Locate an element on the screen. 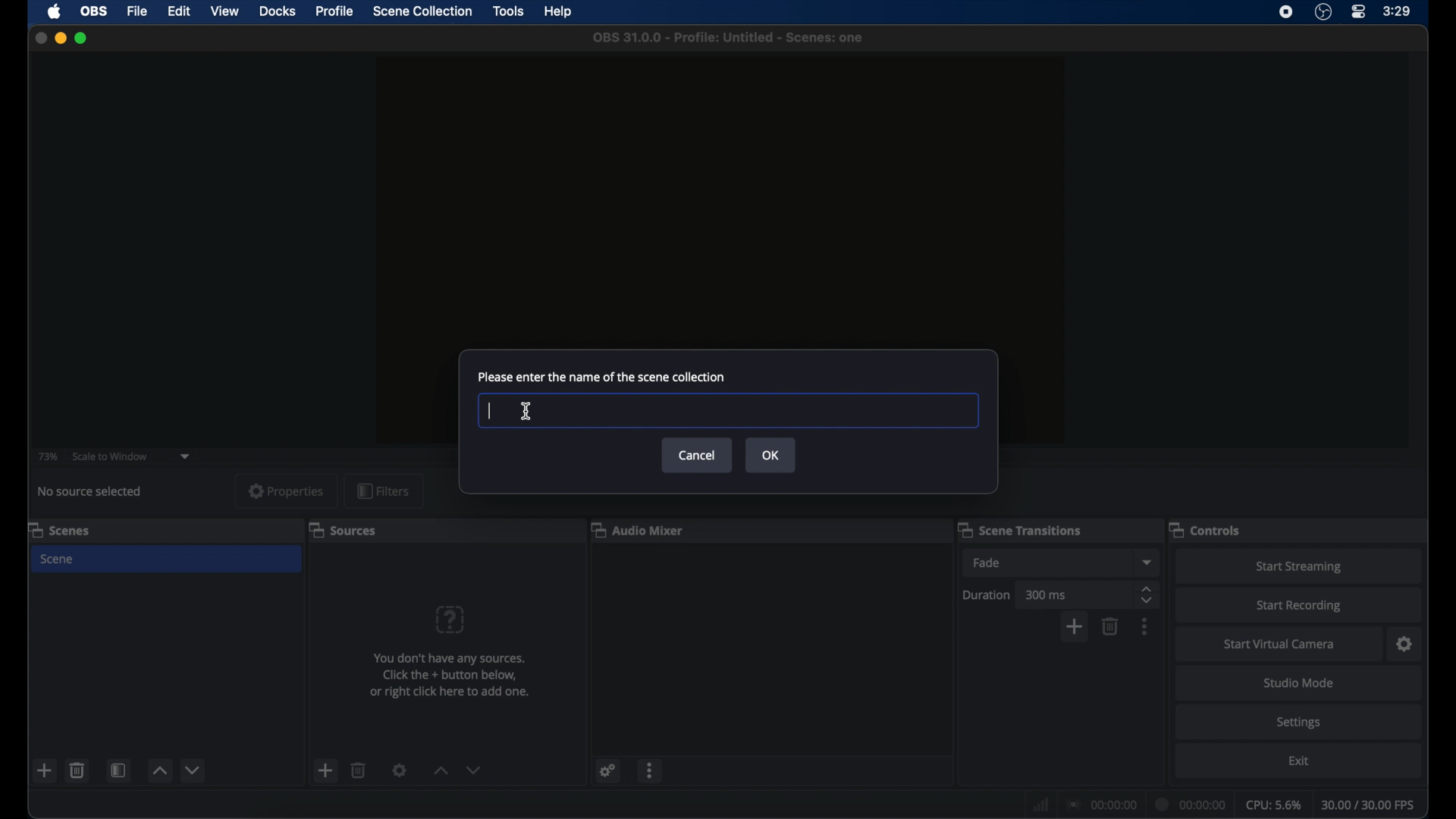 The width and height of the screenshot is (1456, 819). cursor is located at coordinates (527, 411).